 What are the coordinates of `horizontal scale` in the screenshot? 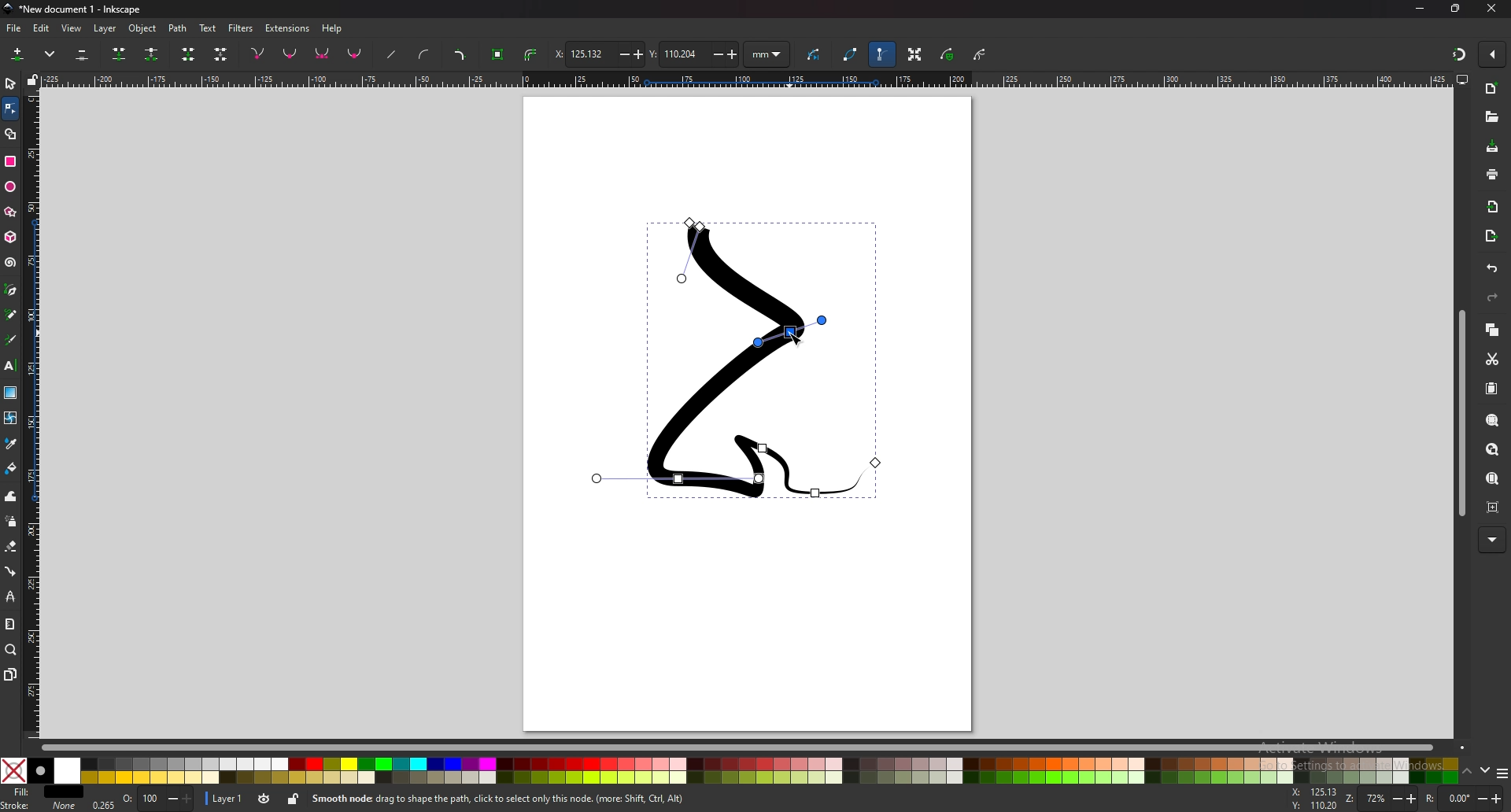 It's located at (744, 81).